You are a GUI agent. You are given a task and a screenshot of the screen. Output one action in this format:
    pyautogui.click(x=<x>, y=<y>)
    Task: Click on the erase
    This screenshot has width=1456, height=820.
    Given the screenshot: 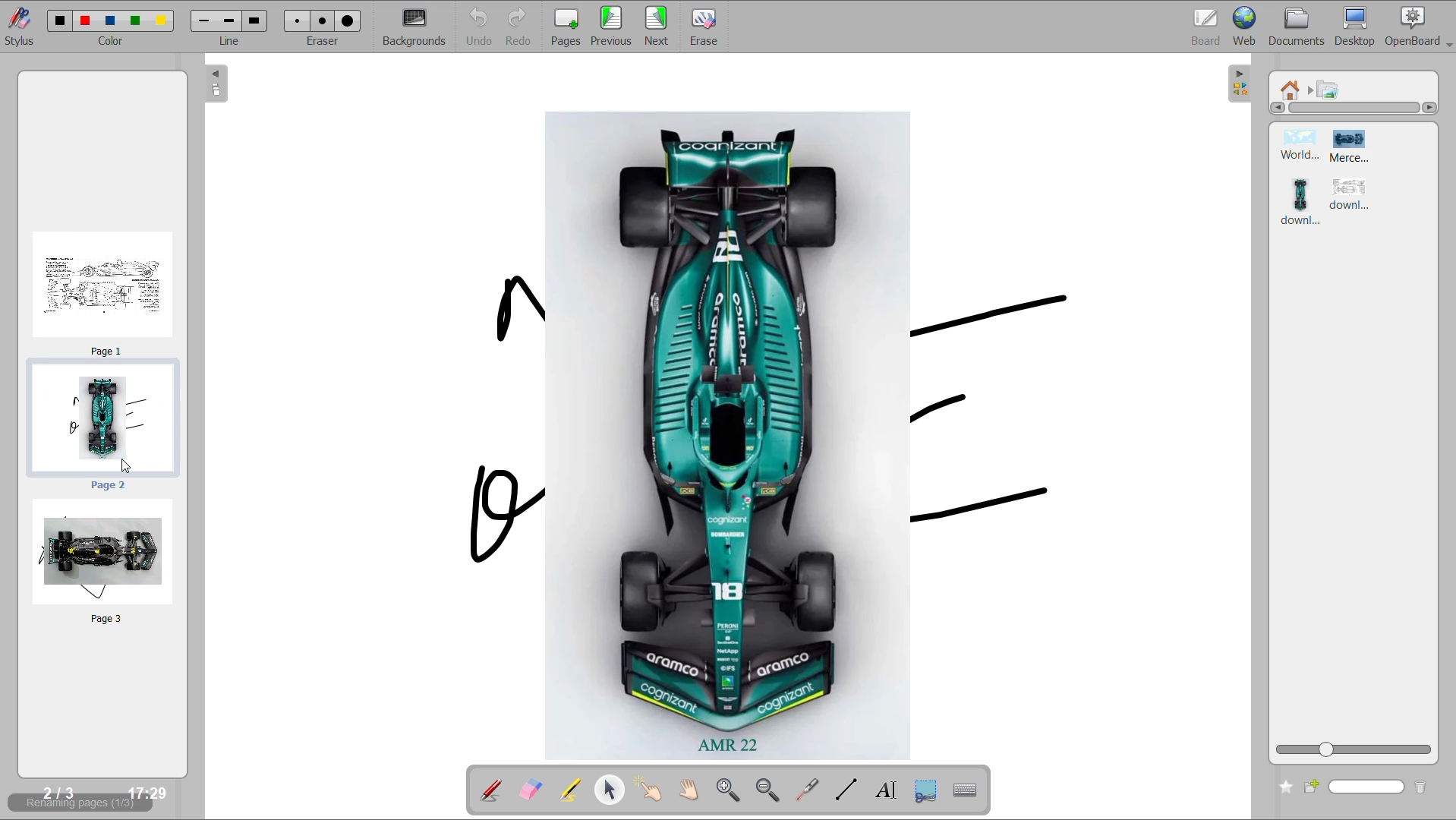 What is the action you would take?
    pyautogui.click(x=705, y=26)
    